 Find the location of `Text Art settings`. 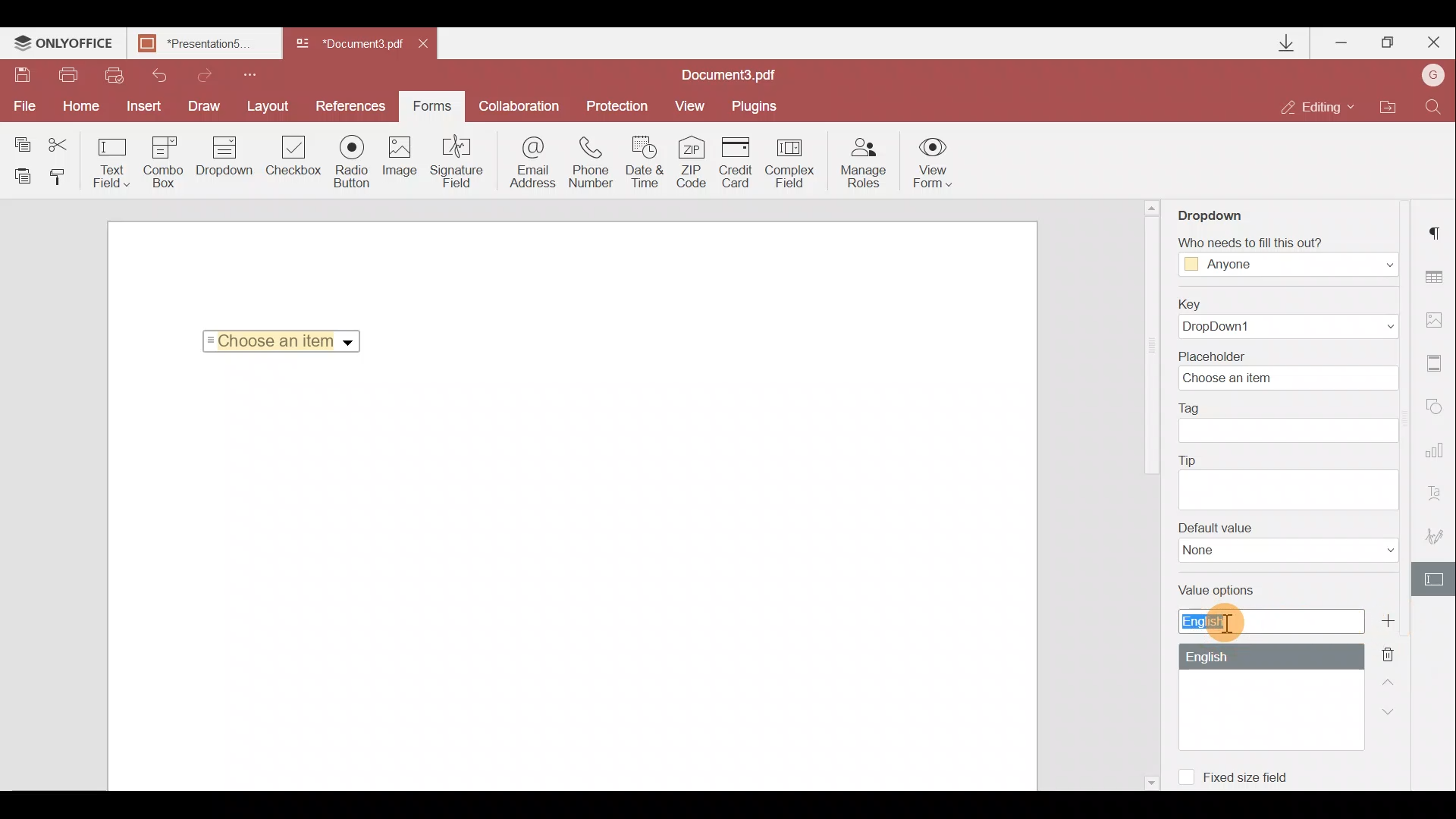

Text Art settings is located at coordinates (1439, 497).